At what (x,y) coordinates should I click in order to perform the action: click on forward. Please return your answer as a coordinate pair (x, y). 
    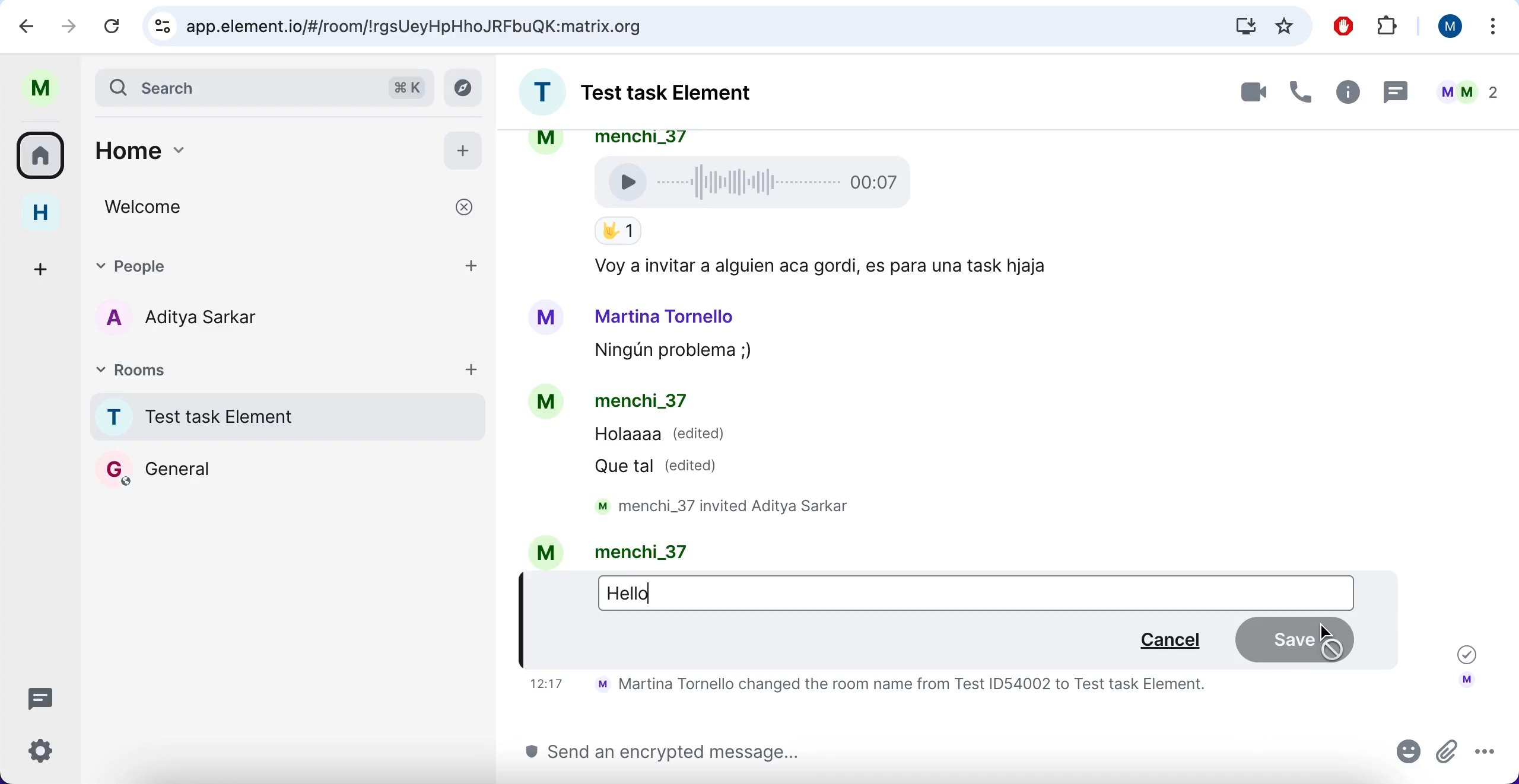
    Looking at the image, I should click on (68, 28).